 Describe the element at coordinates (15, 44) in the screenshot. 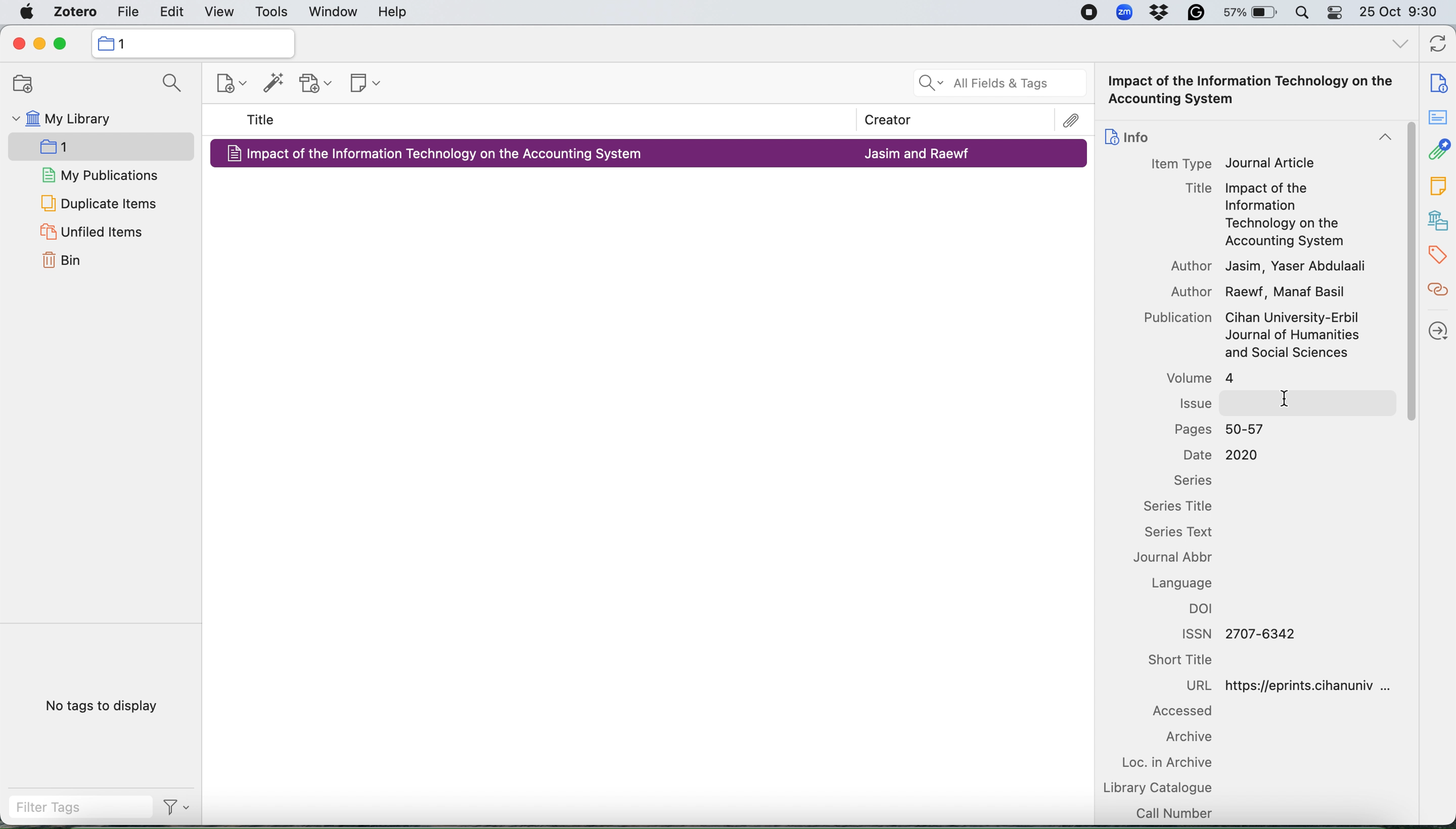

I see `close` at that location.